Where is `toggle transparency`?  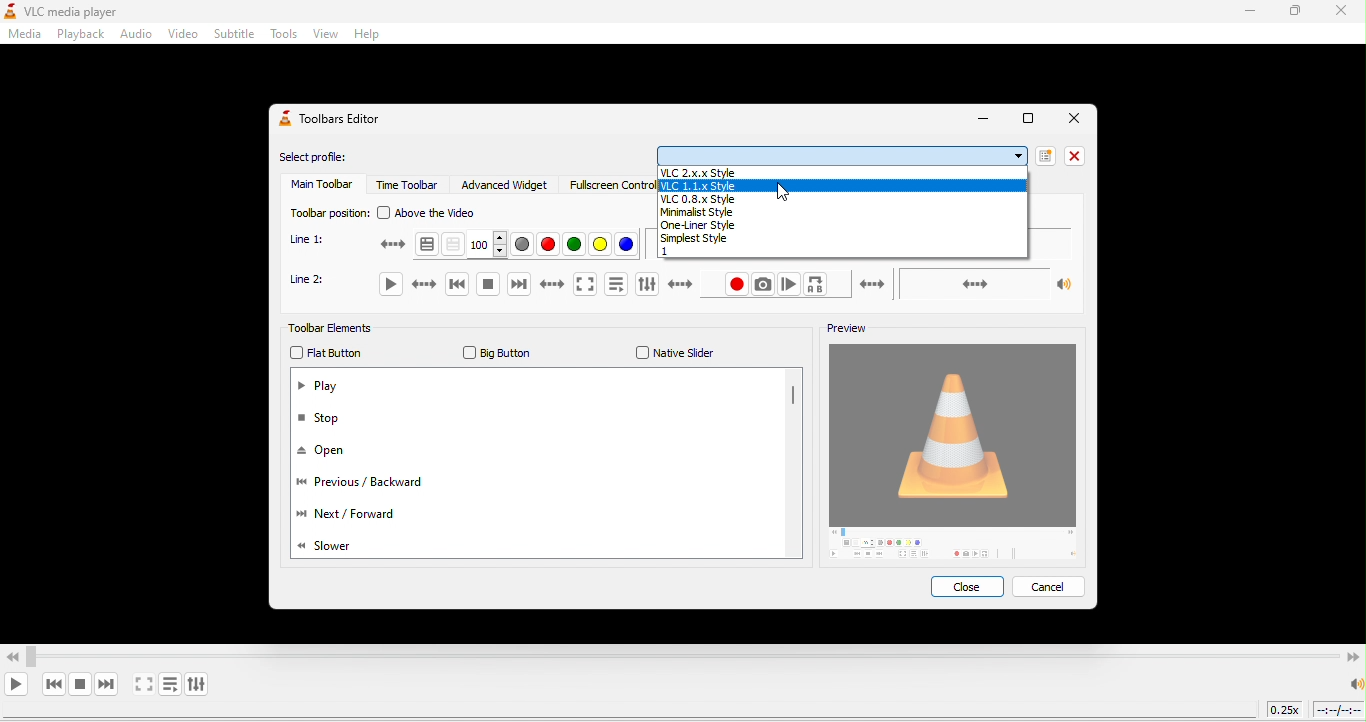
toggle transparency is located at coordinates (454, 245).